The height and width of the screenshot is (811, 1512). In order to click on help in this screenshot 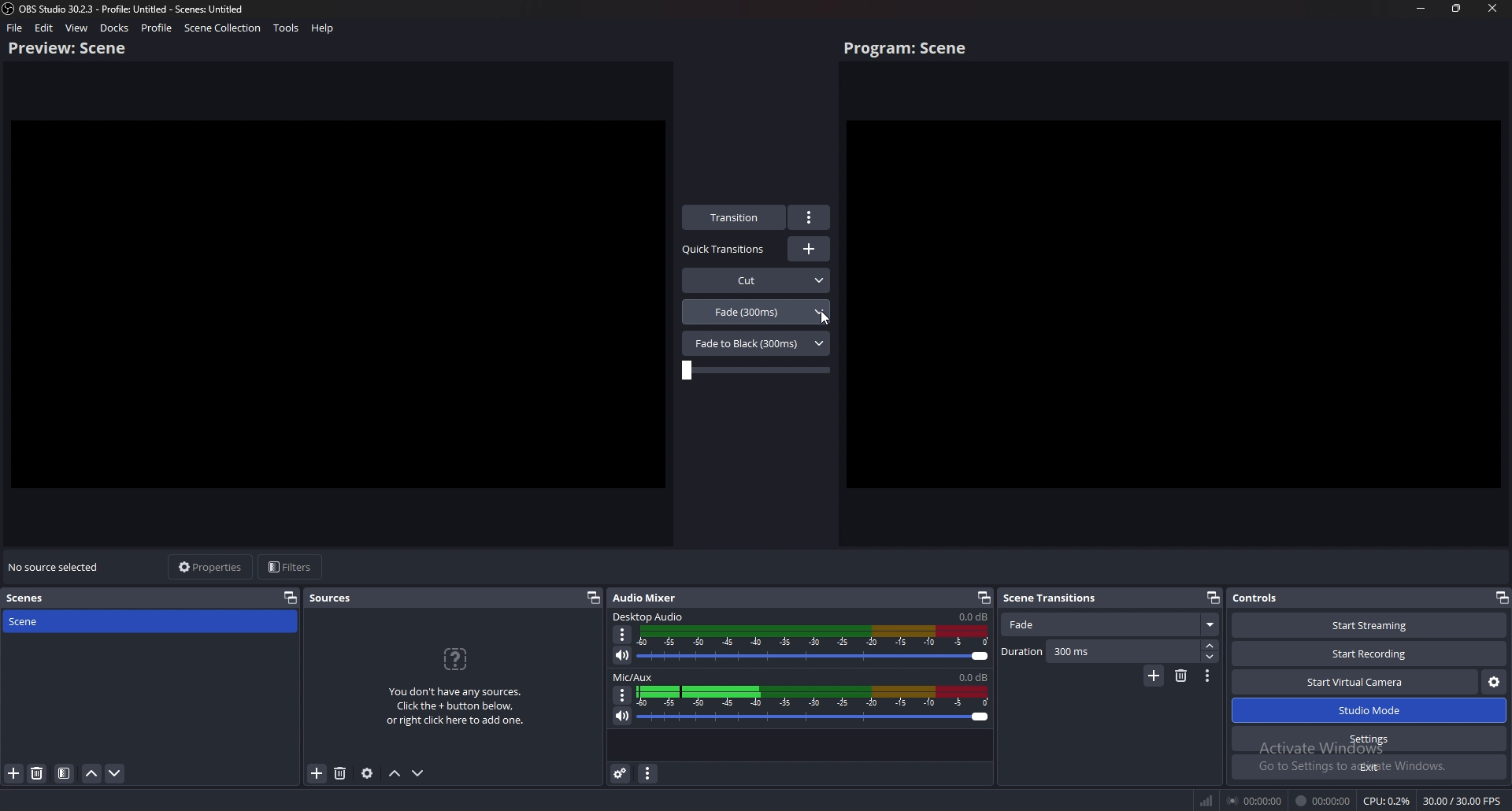, I will do `click(322, 28)`.